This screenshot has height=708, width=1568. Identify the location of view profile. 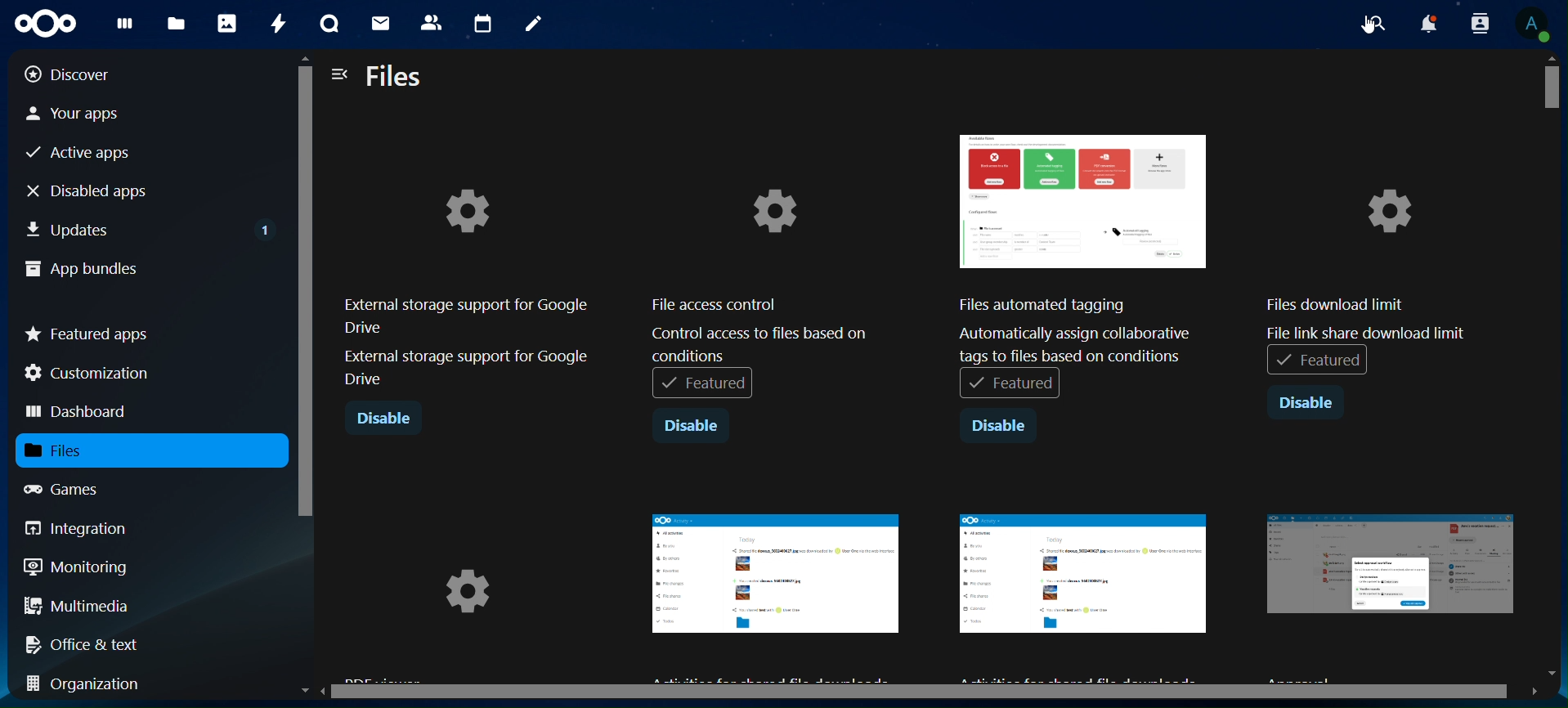
(1538, 25).